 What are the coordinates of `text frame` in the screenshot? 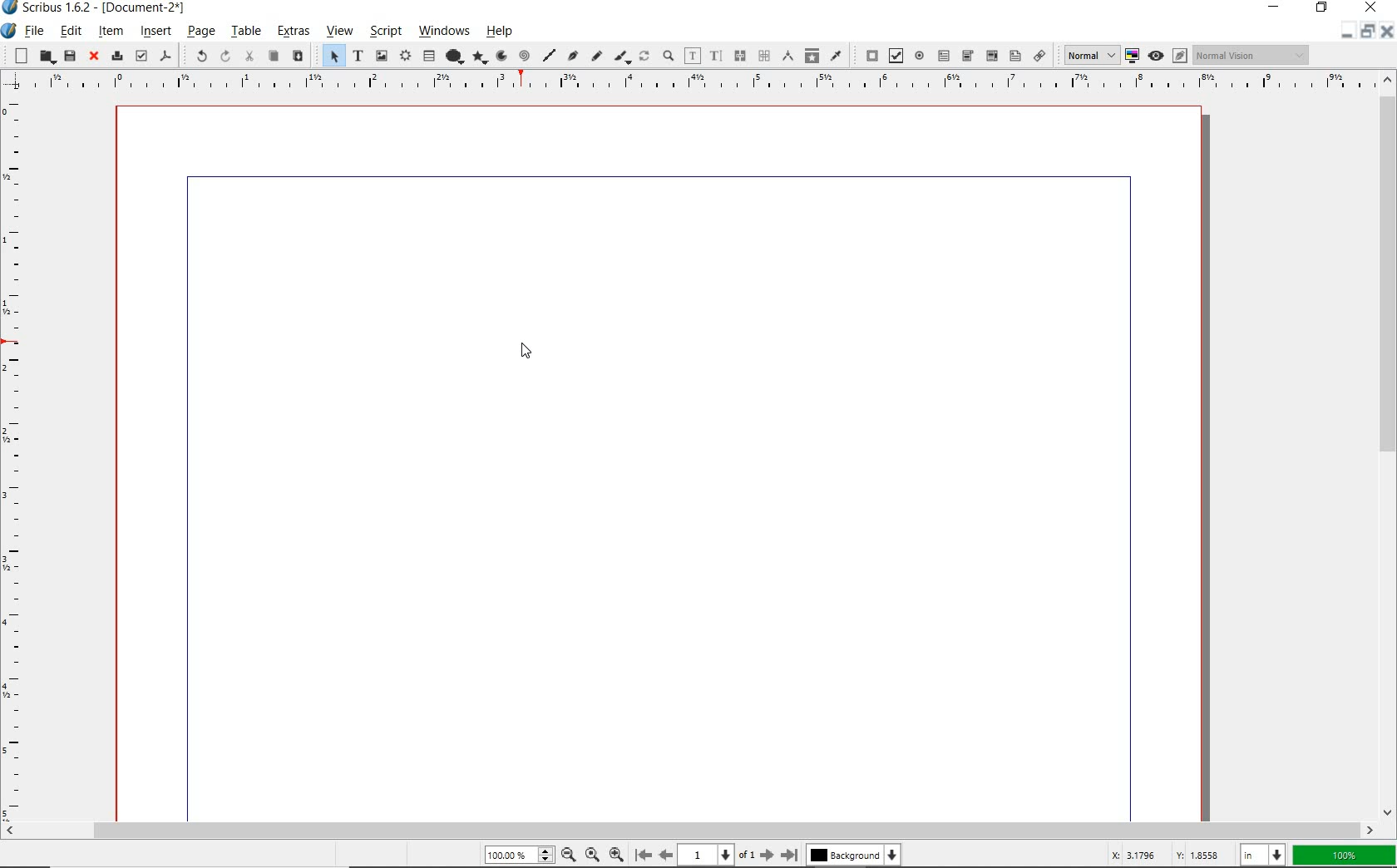 It's located at (358, 57).